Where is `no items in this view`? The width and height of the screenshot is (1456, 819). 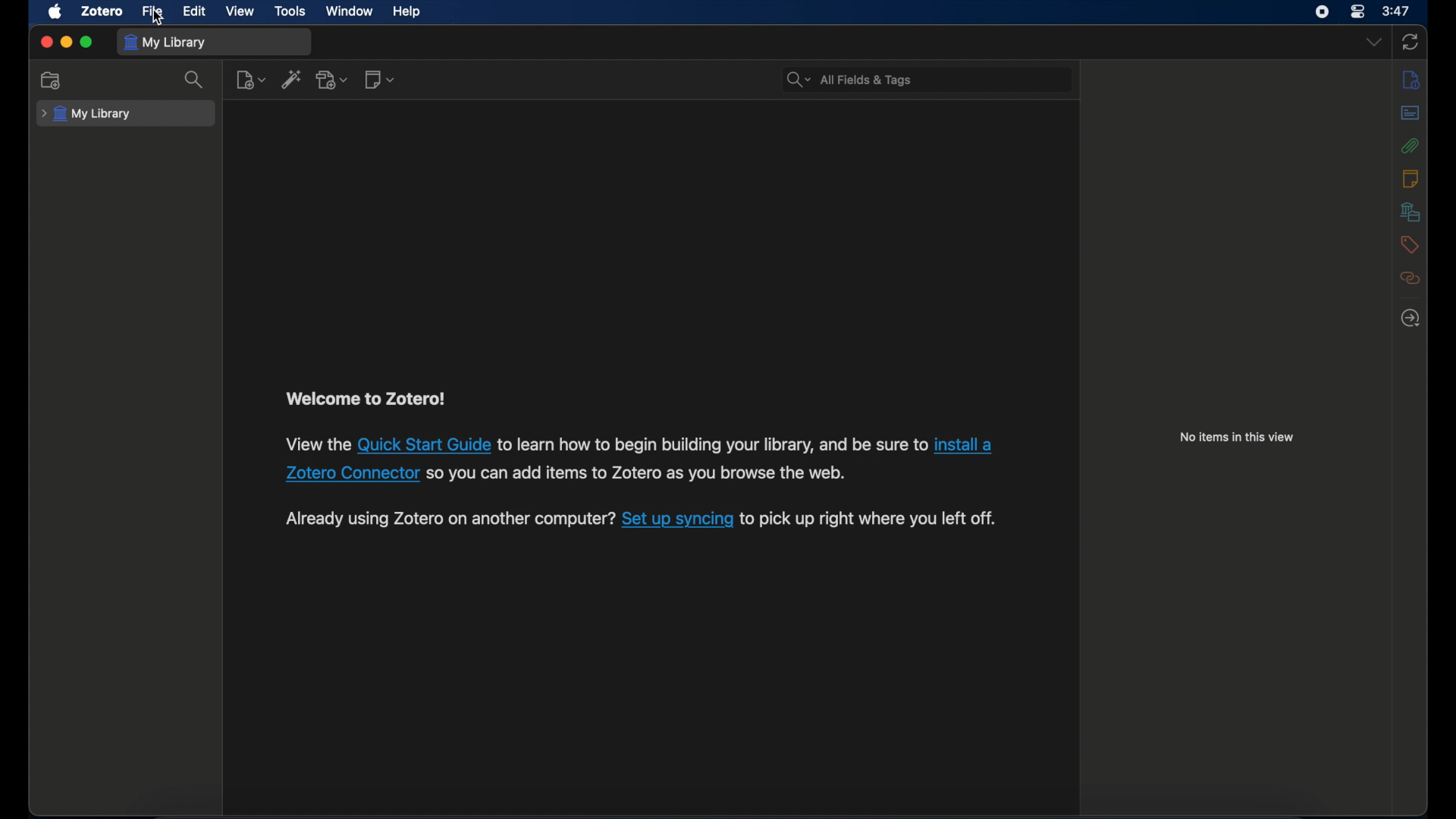 no items in this view is located at coordinates (1237, 437).